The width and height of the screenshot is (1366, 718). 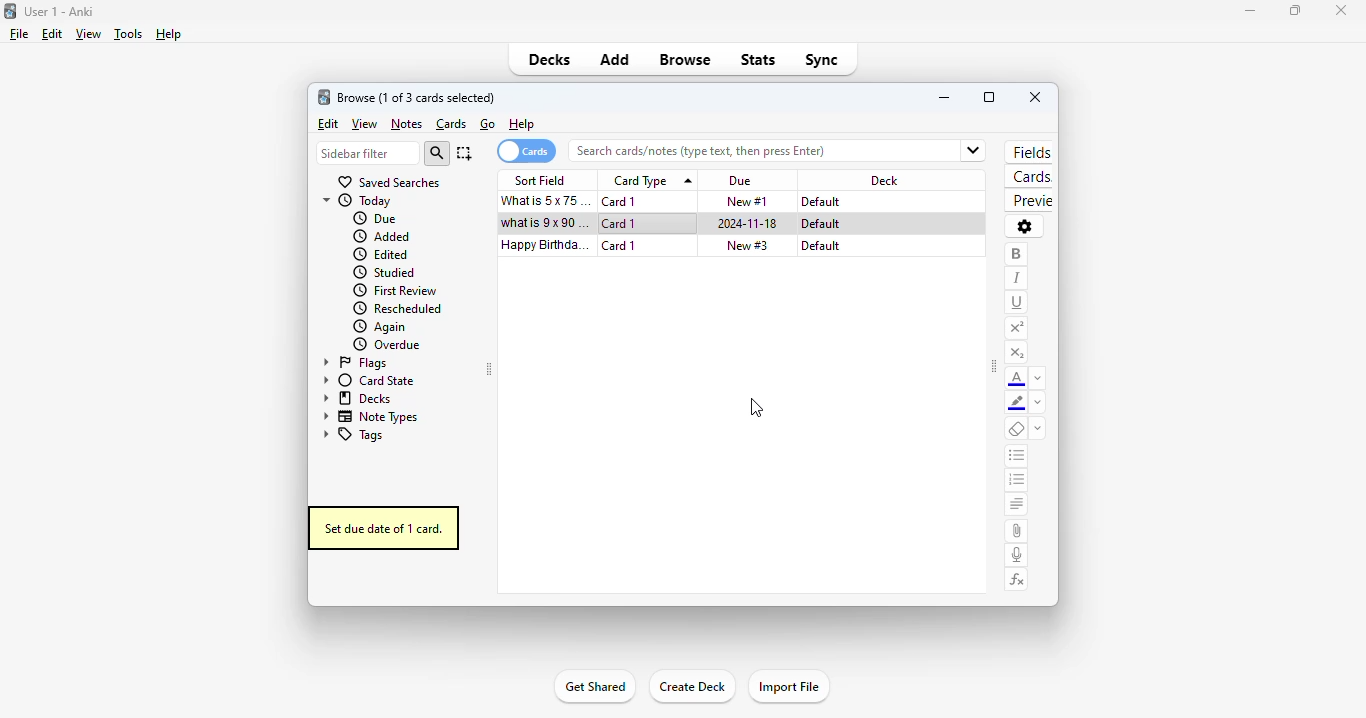 I want to click on card state, so click(x=366, y=381).